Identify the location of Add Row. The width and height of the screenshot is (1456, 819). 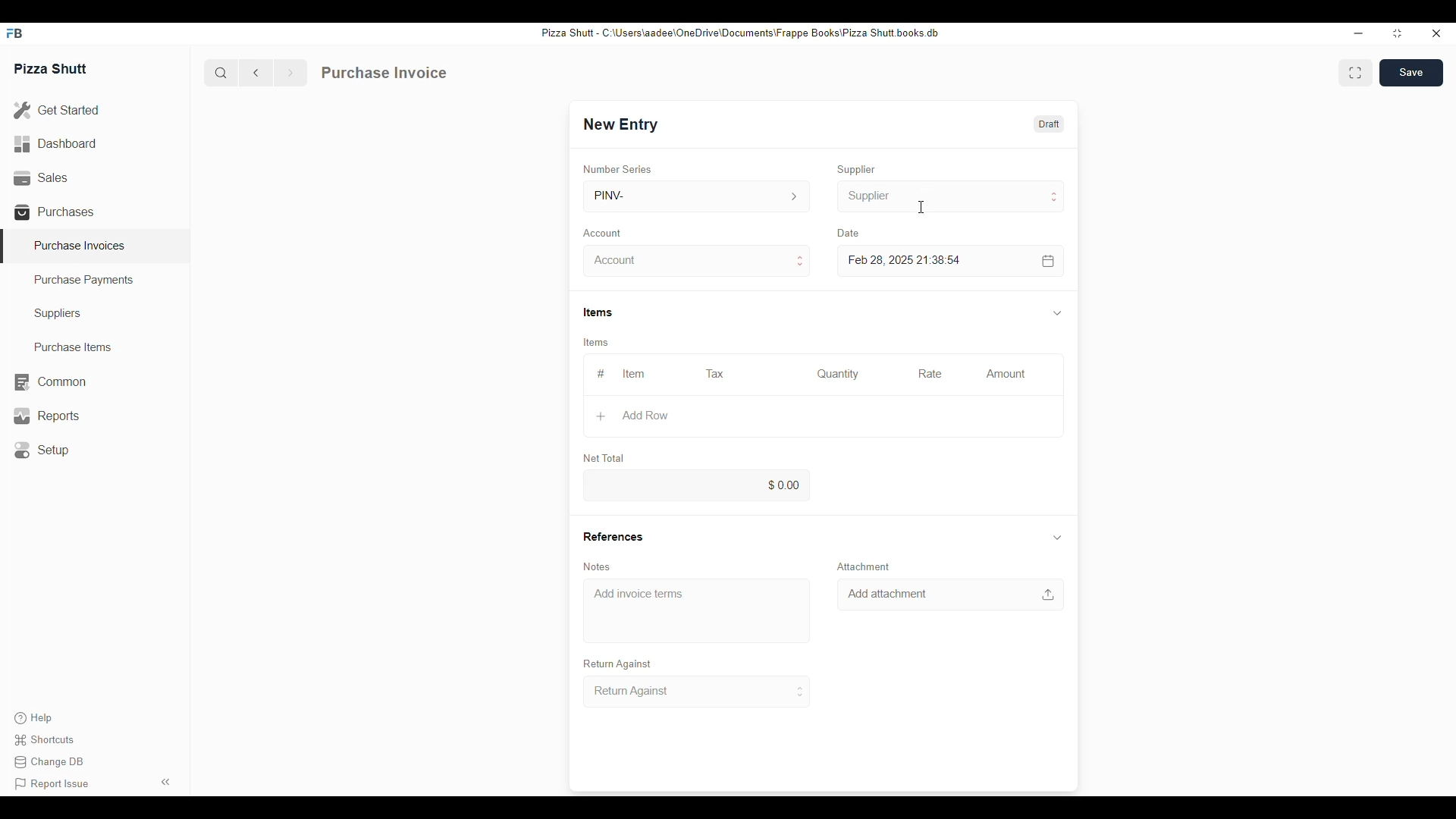
(639, 416).